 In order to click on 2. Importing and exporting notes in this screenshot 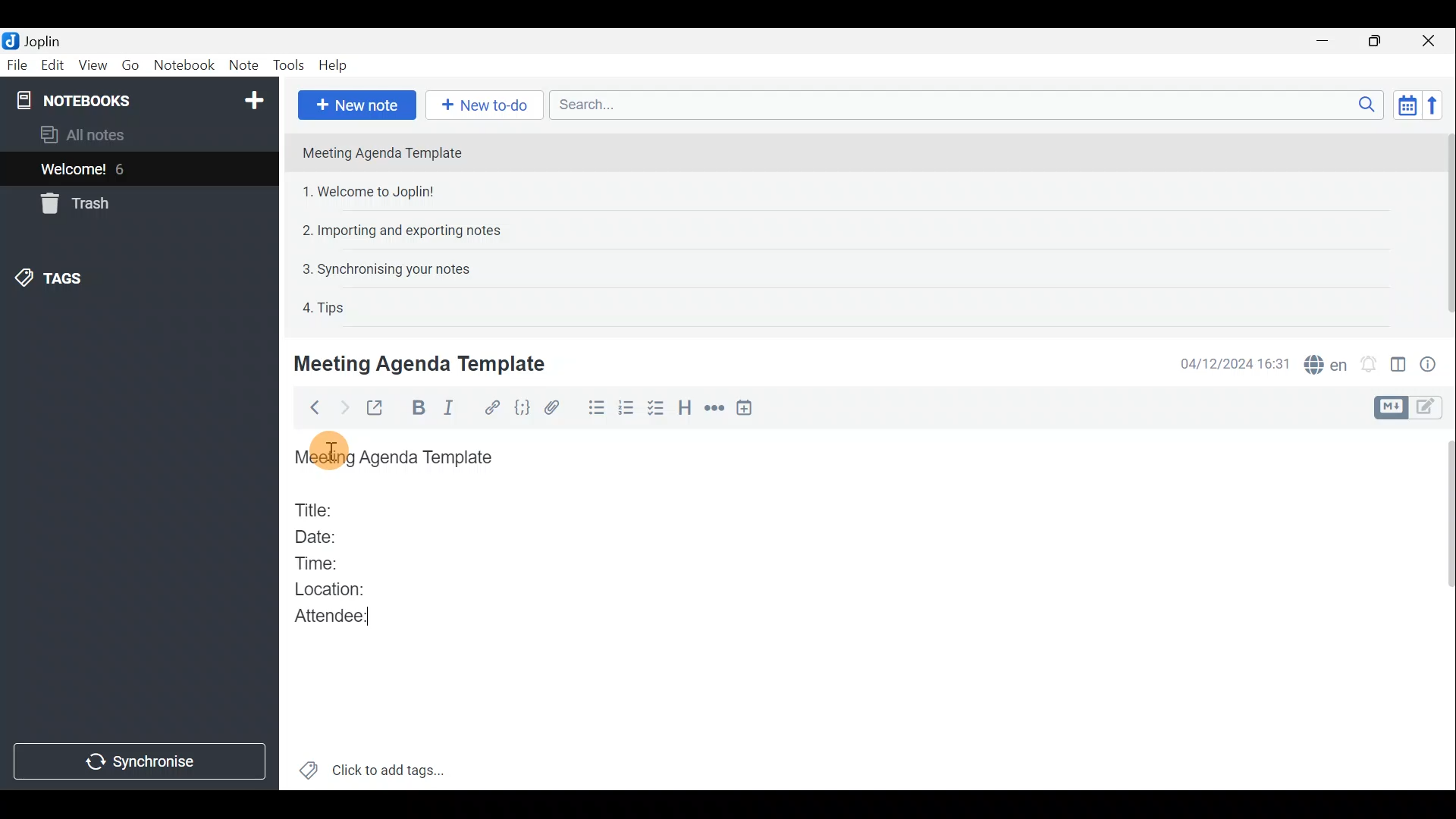, I will do `click(407, 231)`.